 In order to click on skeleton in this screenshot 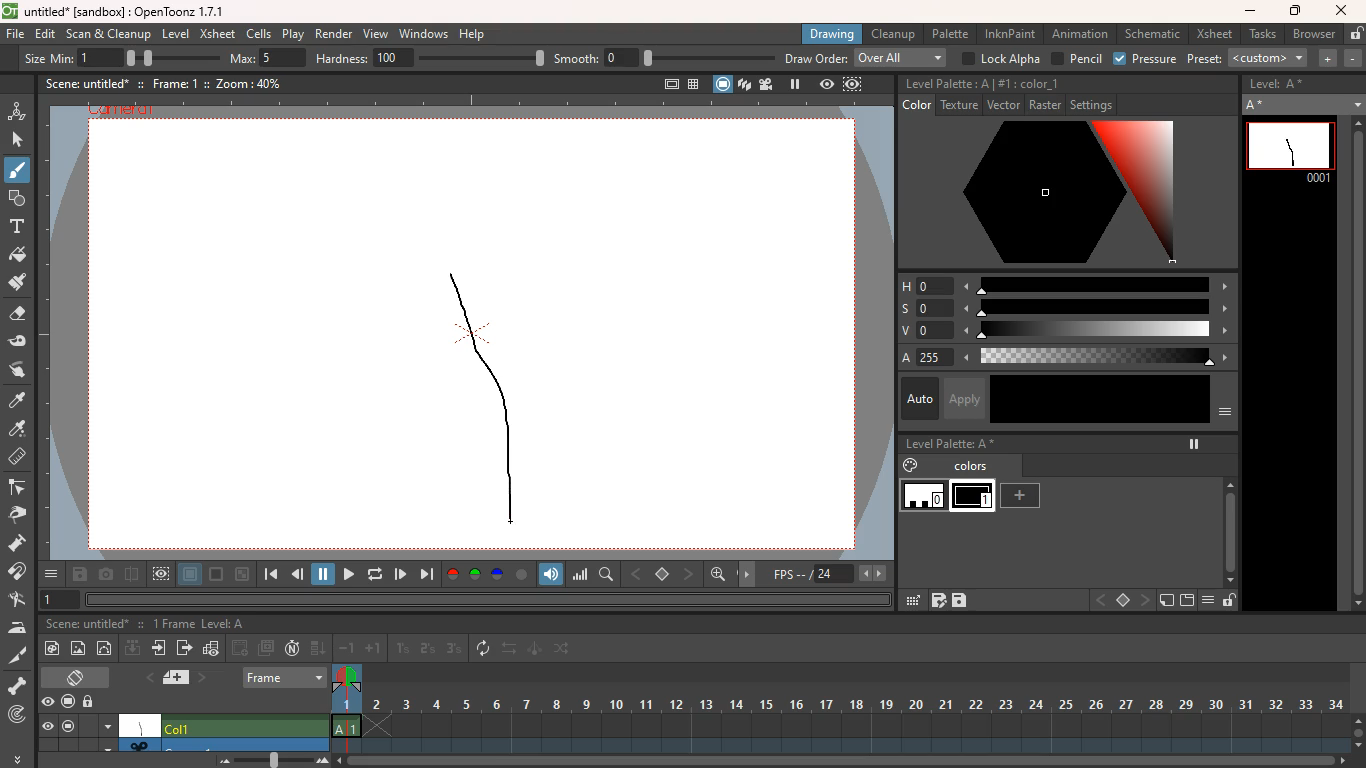, I will do `click(19, 686)`.